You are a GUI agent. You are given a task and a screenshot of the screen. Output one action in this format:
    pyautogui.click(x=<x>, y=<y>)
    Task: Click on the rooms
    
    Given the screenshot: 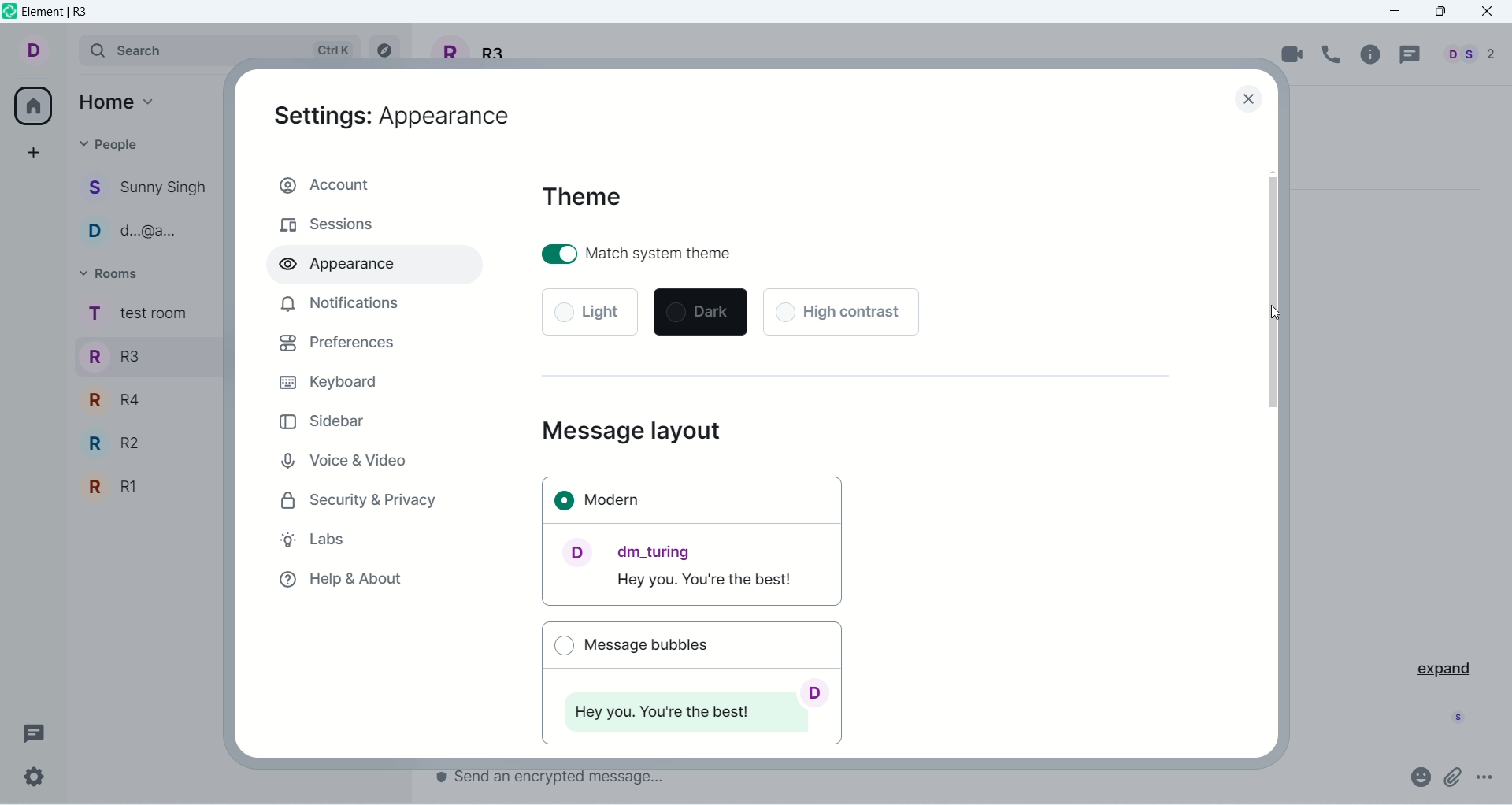 What is the action you would take?
    pyautogui.click(x=112, y=273)
    